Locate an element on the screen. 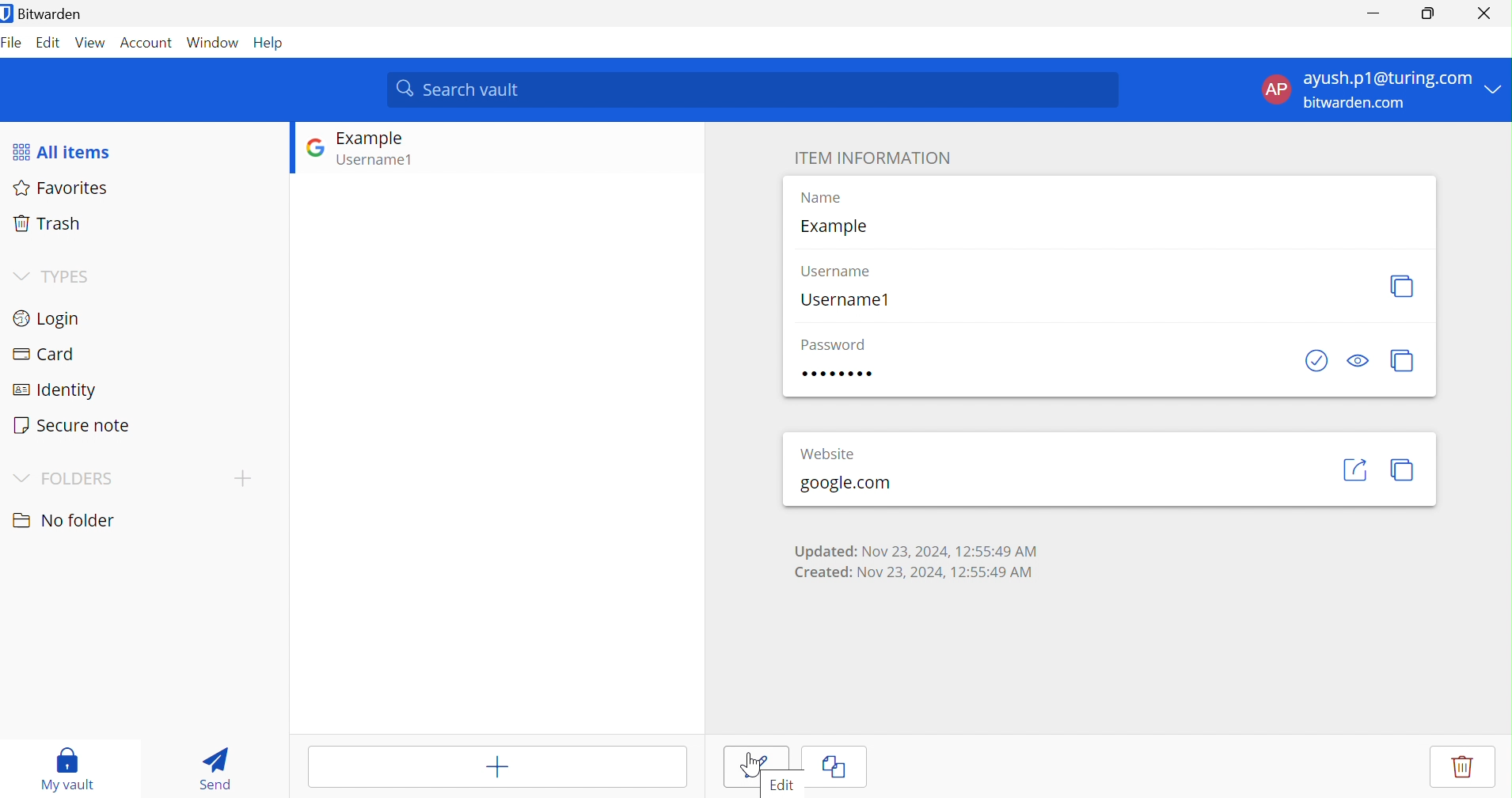 The image size is (1512, 798). Send is located at coordinates (211, 766).